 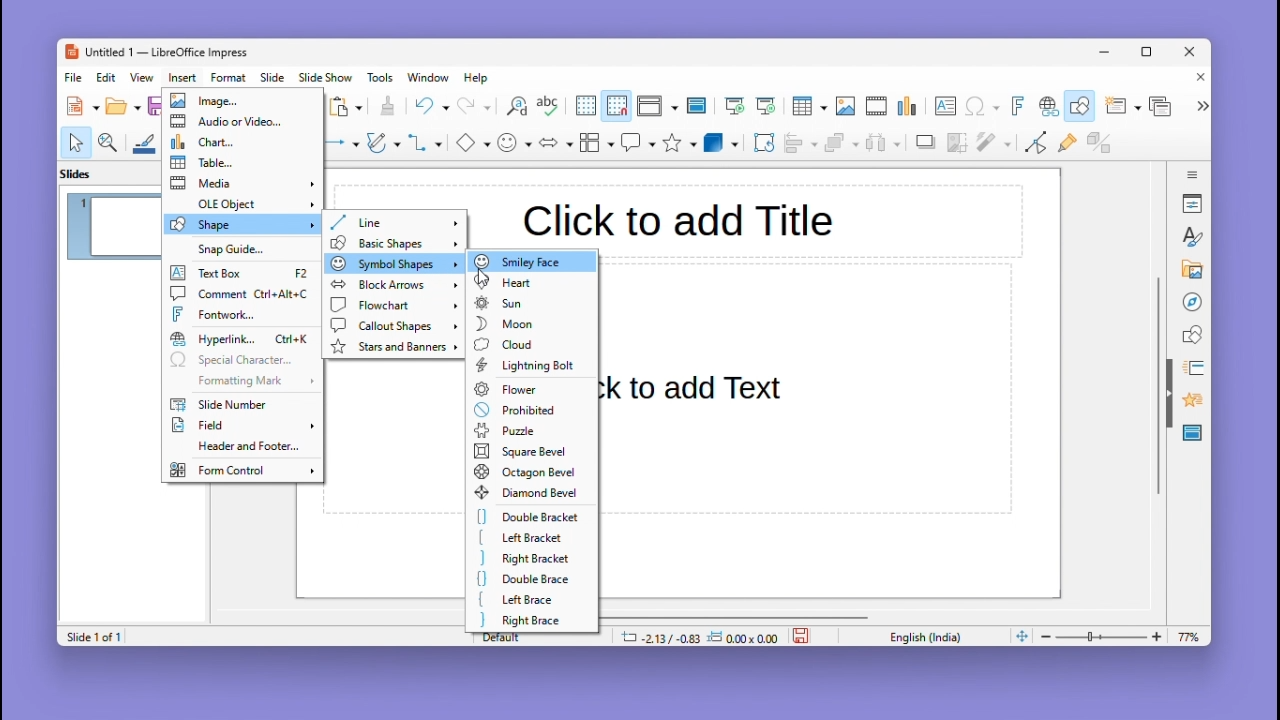 What do you see at coordinates (1016, 106) in the screenshot?
I see `Font work` at bounding box center [1016, 106].